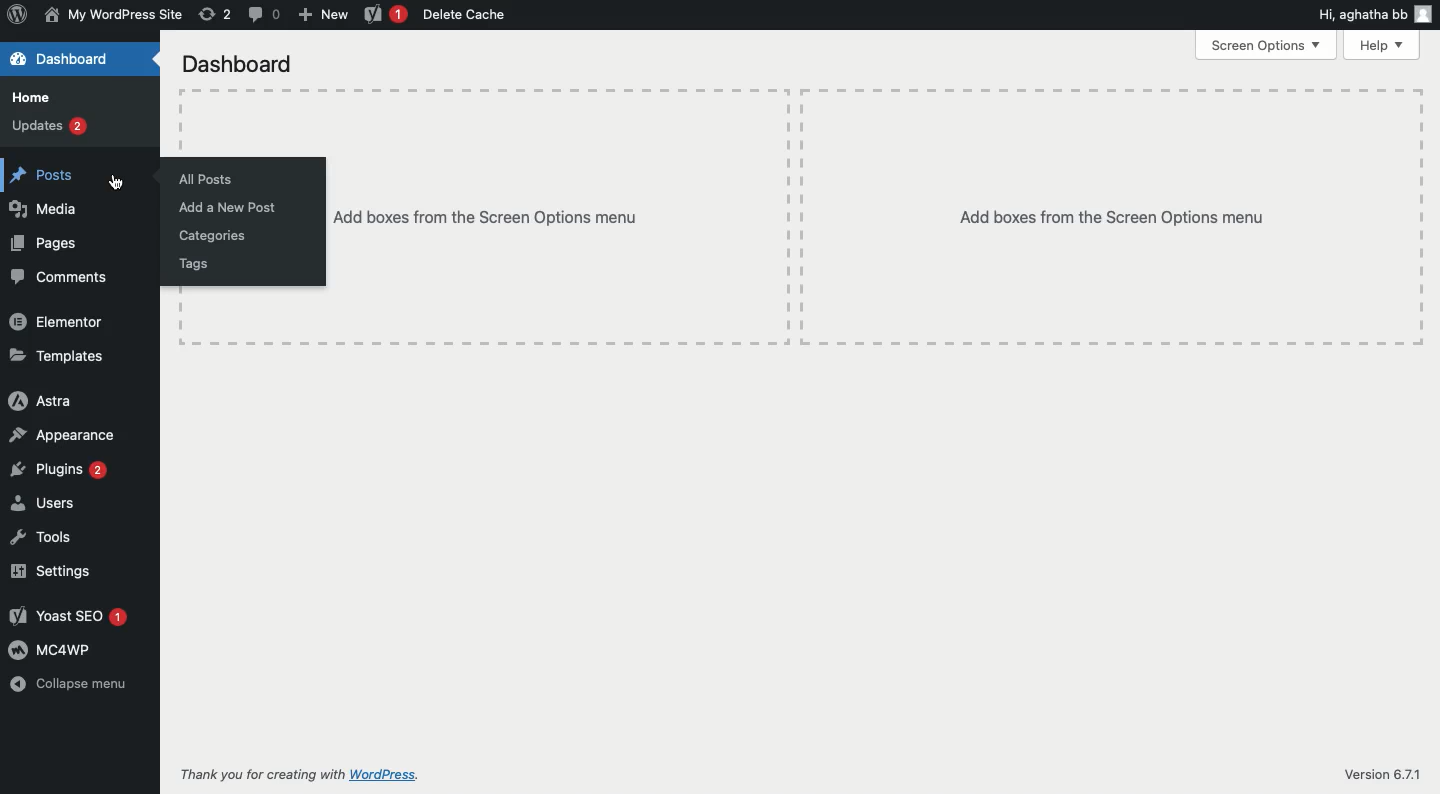 The height and width of the screenshot is (794, 1440). I want to click on Appearance, so click(64, 436).